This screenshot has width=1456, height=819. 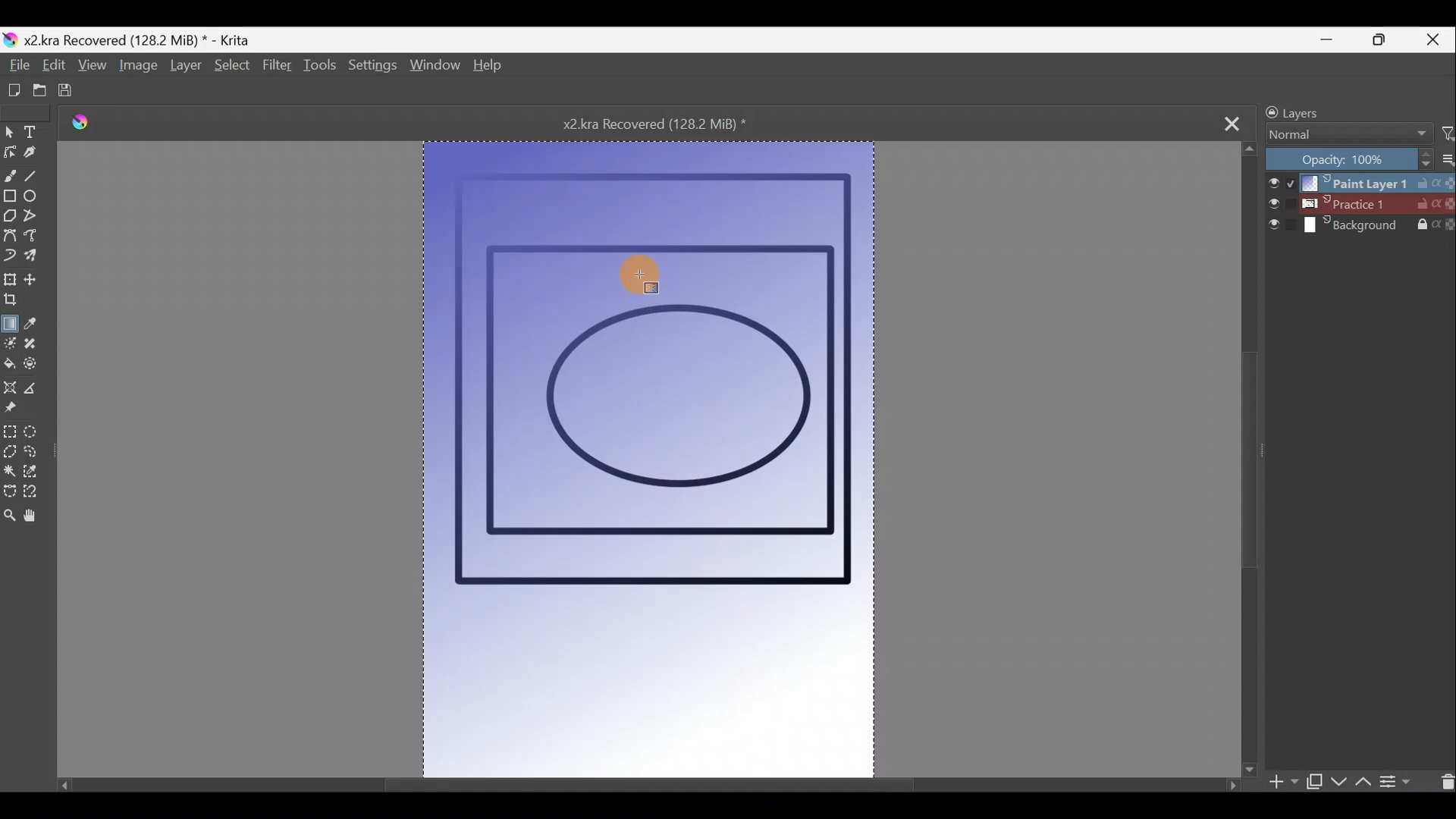 I want to click on Select shapes tool, so click(x=9, y=133).